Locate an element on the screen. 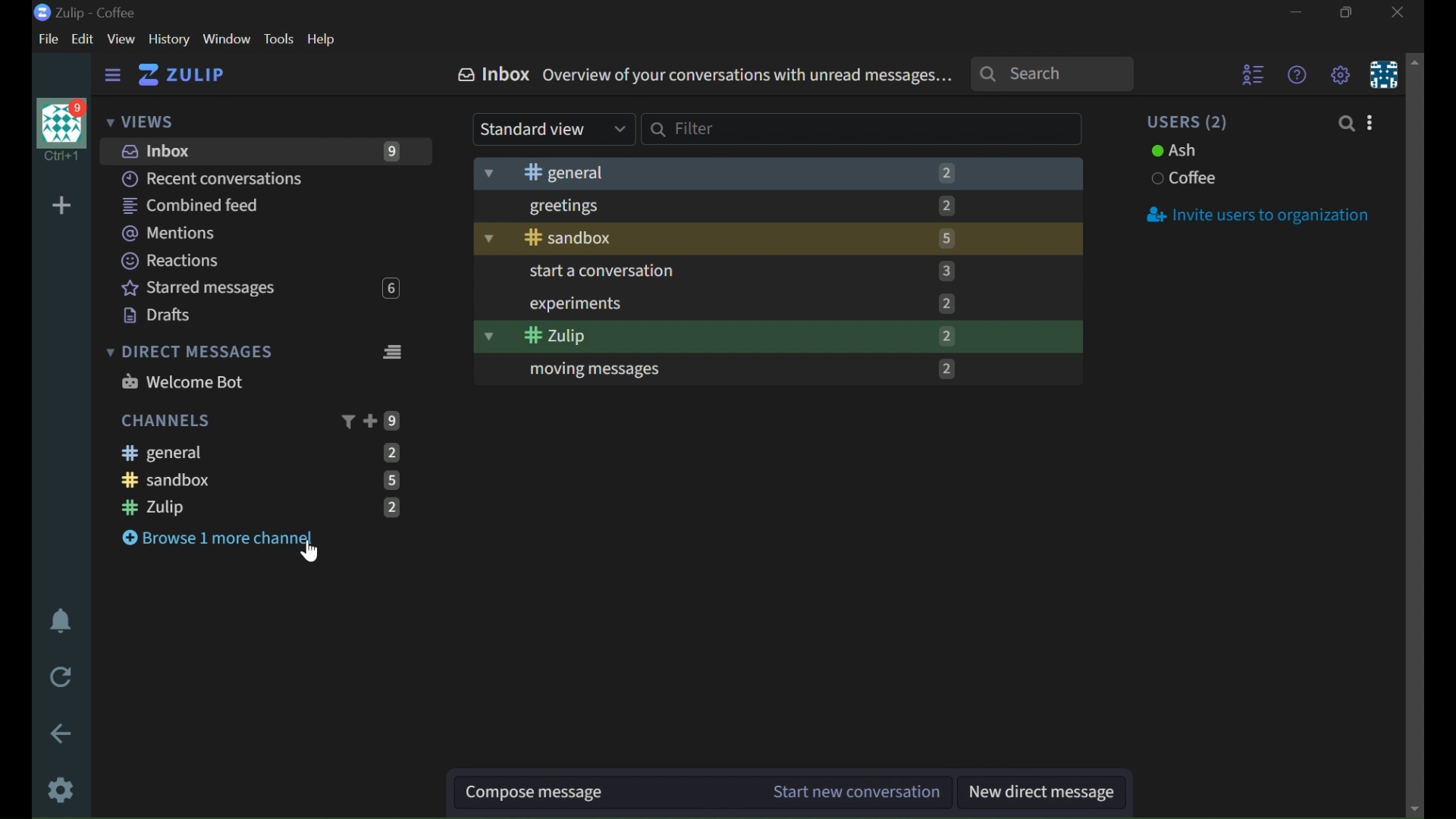 The width and height of the screenshot is (1456, 819). GREETINGS is located at coordinates (781, 203).